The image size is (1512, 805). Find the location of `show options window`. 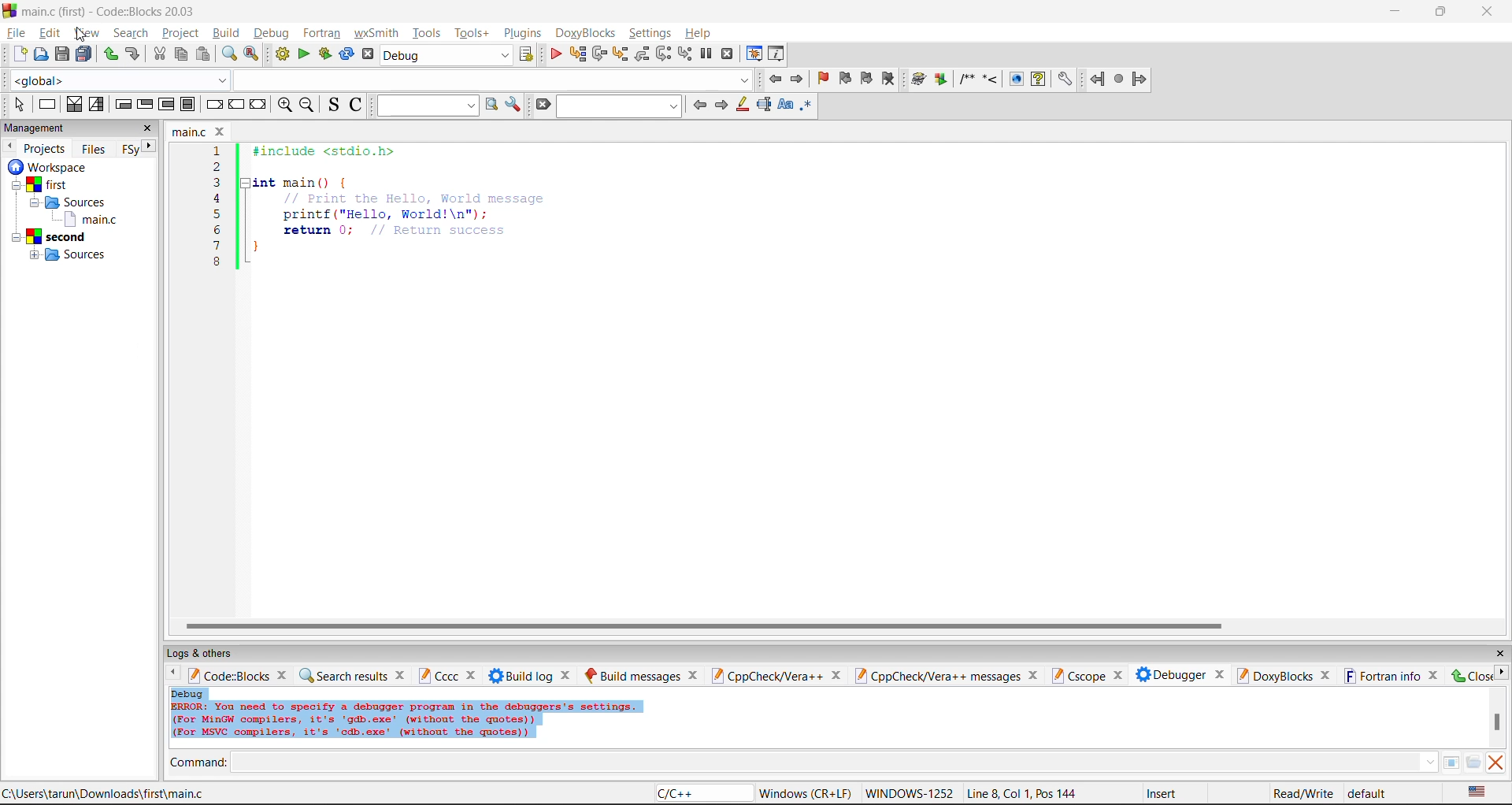

show options window is located at coordinates (513, 106).